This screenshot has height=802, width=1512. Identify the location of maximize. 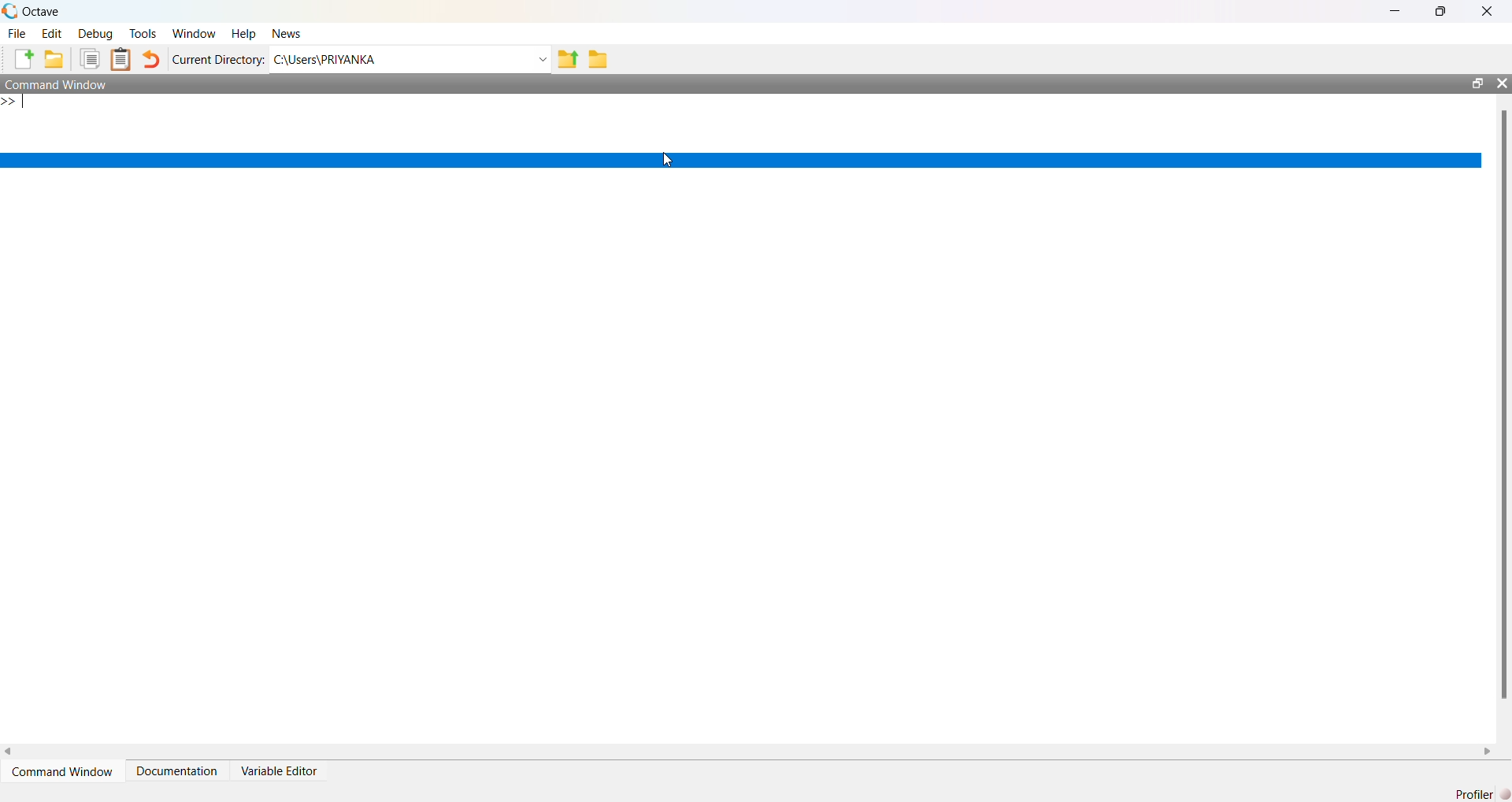
(1441, 10).